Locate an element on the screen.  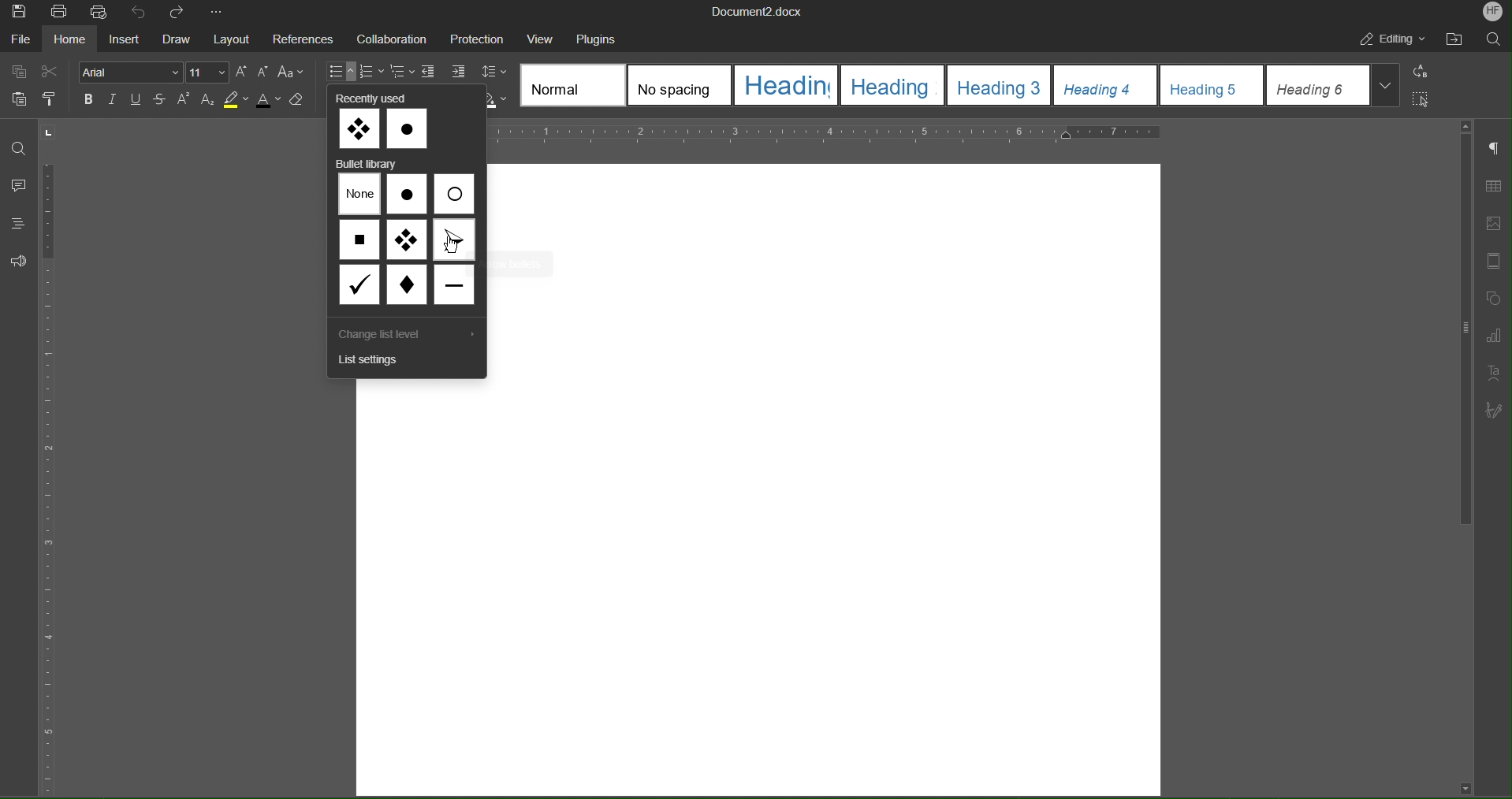
Recently Used is located at coordinates (385, 124).